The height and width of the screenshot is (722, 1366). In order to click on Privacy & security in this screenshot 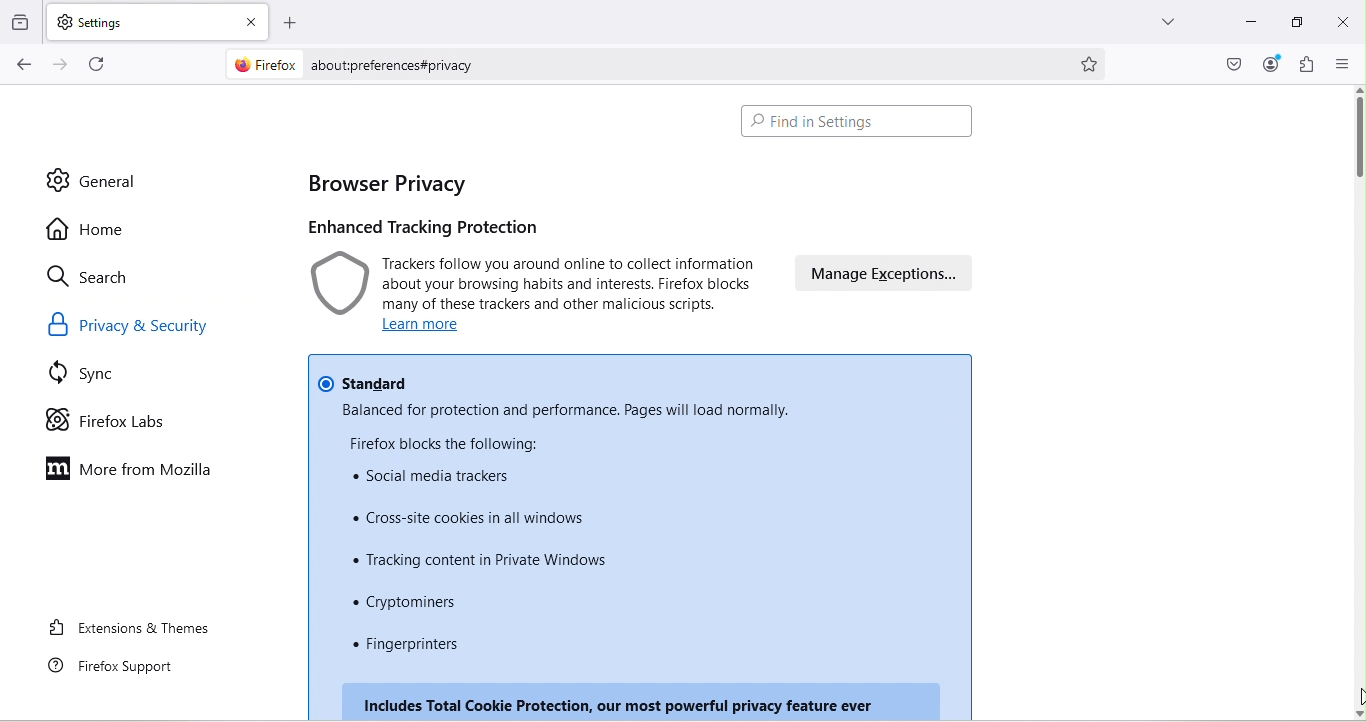, I will do `click(136, 325)`.